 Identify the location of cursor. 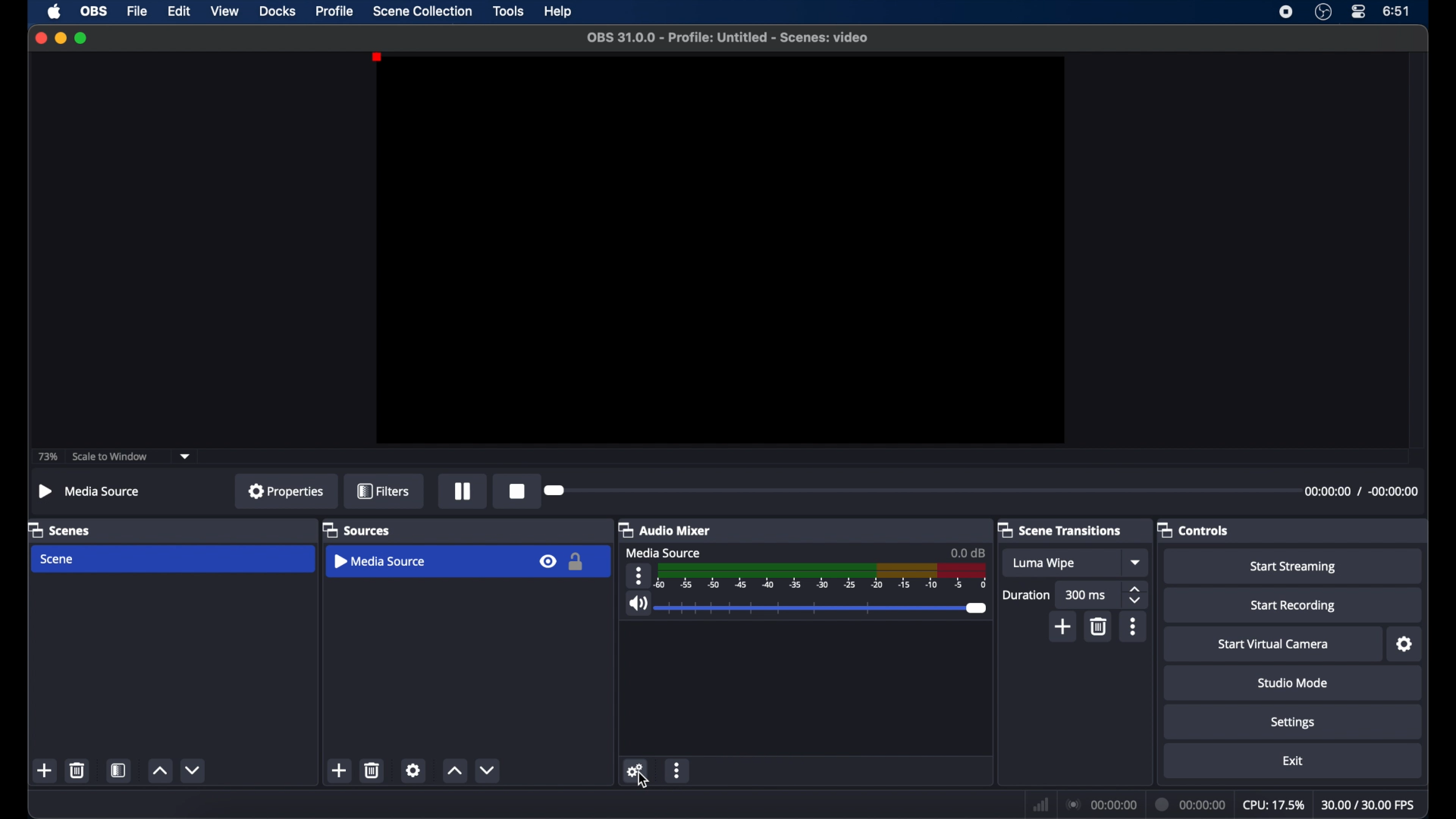
(645, 782).